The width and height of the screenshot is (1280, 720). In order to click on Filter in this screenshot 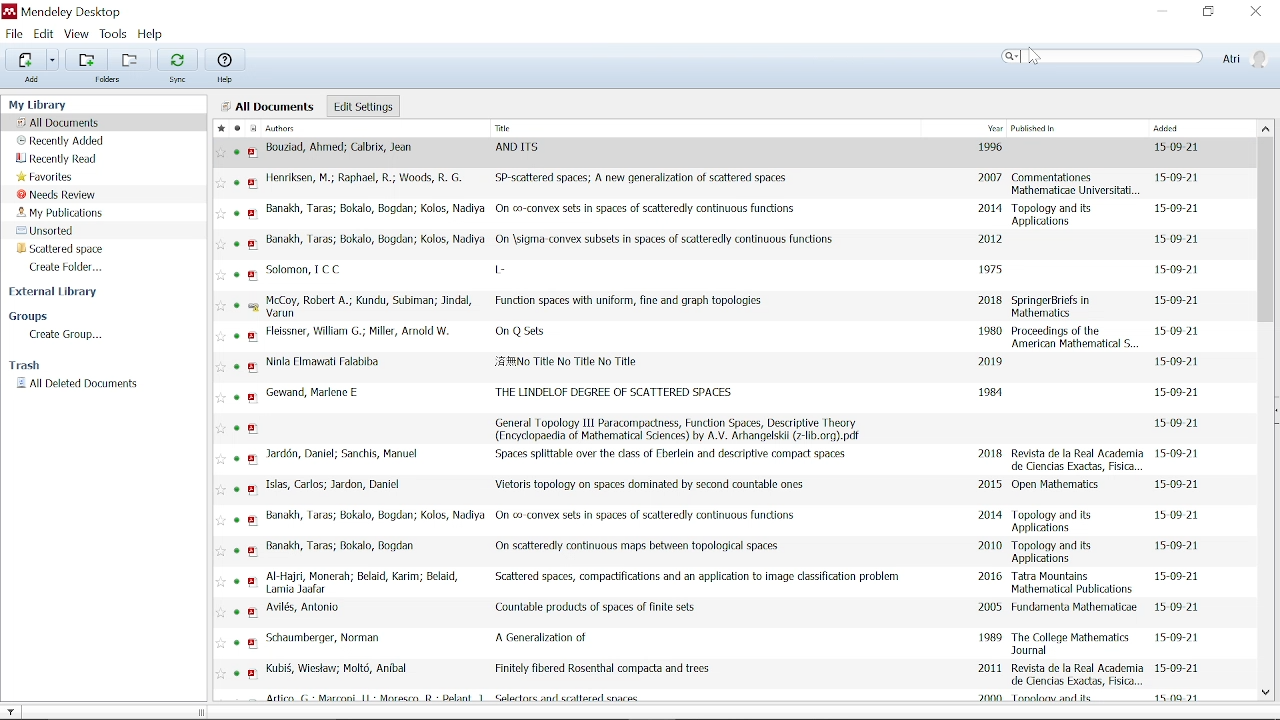, I will do `click(12, 711)`.